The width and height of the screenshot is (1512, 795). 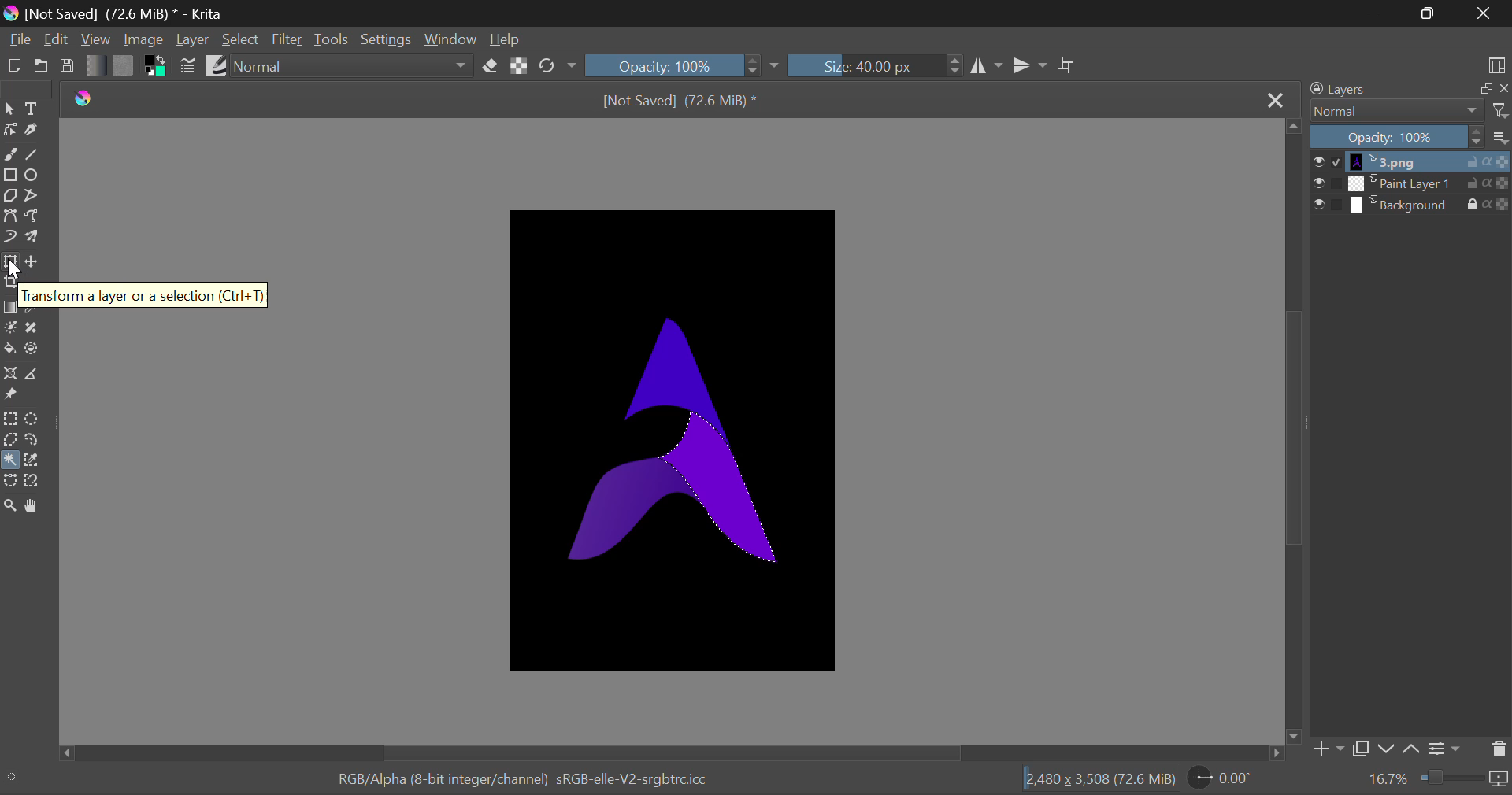 I want to click on Rotate Image, so click(x=558, y=66).